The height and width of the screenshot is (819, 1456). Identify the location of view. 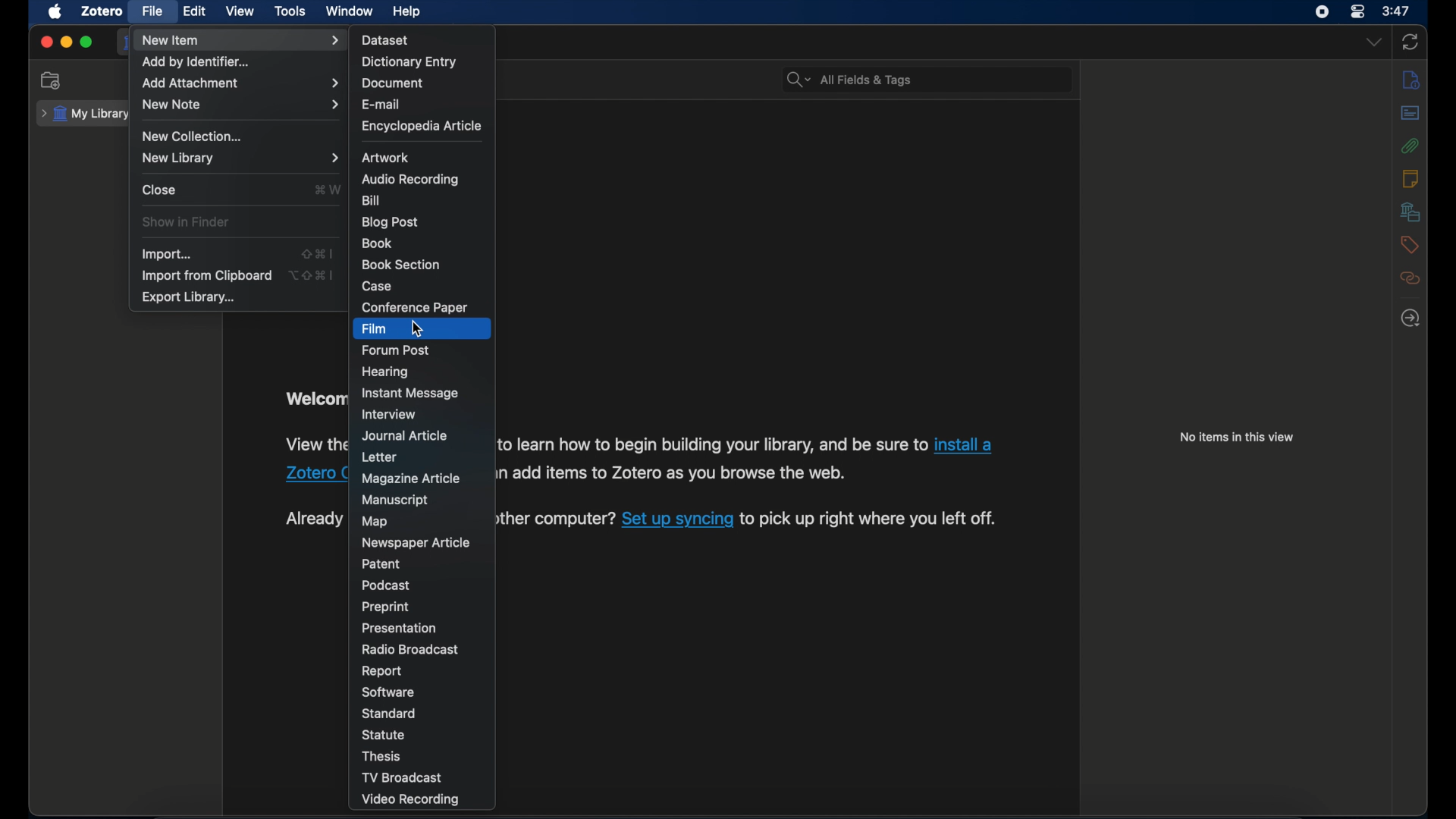
(241, 11).